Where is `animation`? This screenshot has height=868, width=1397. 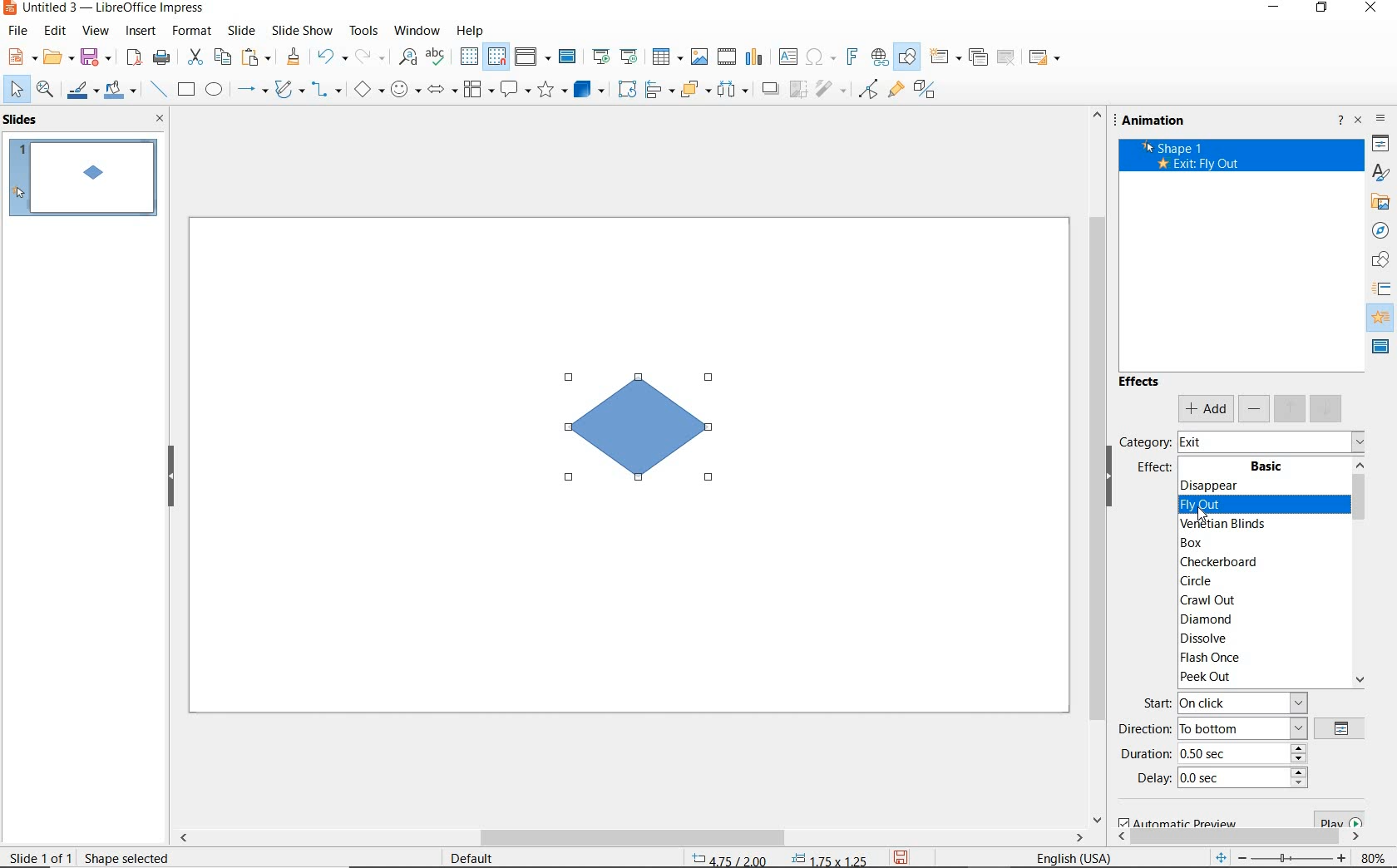
animation is located at coordinates (1381, 318).